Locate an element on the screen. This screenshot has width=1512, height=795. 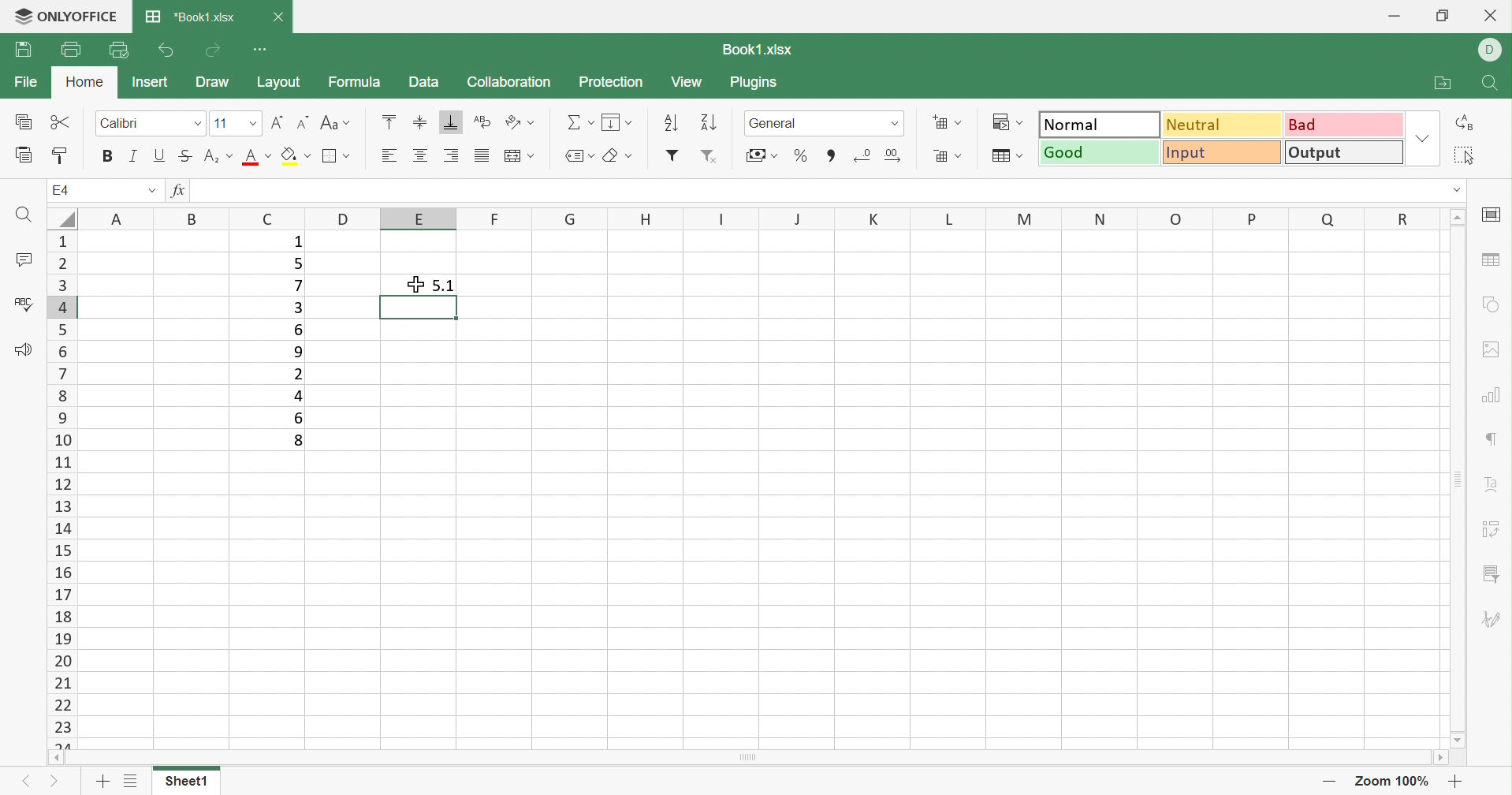
Book1.xlsx is located at coordinates (759, 47).